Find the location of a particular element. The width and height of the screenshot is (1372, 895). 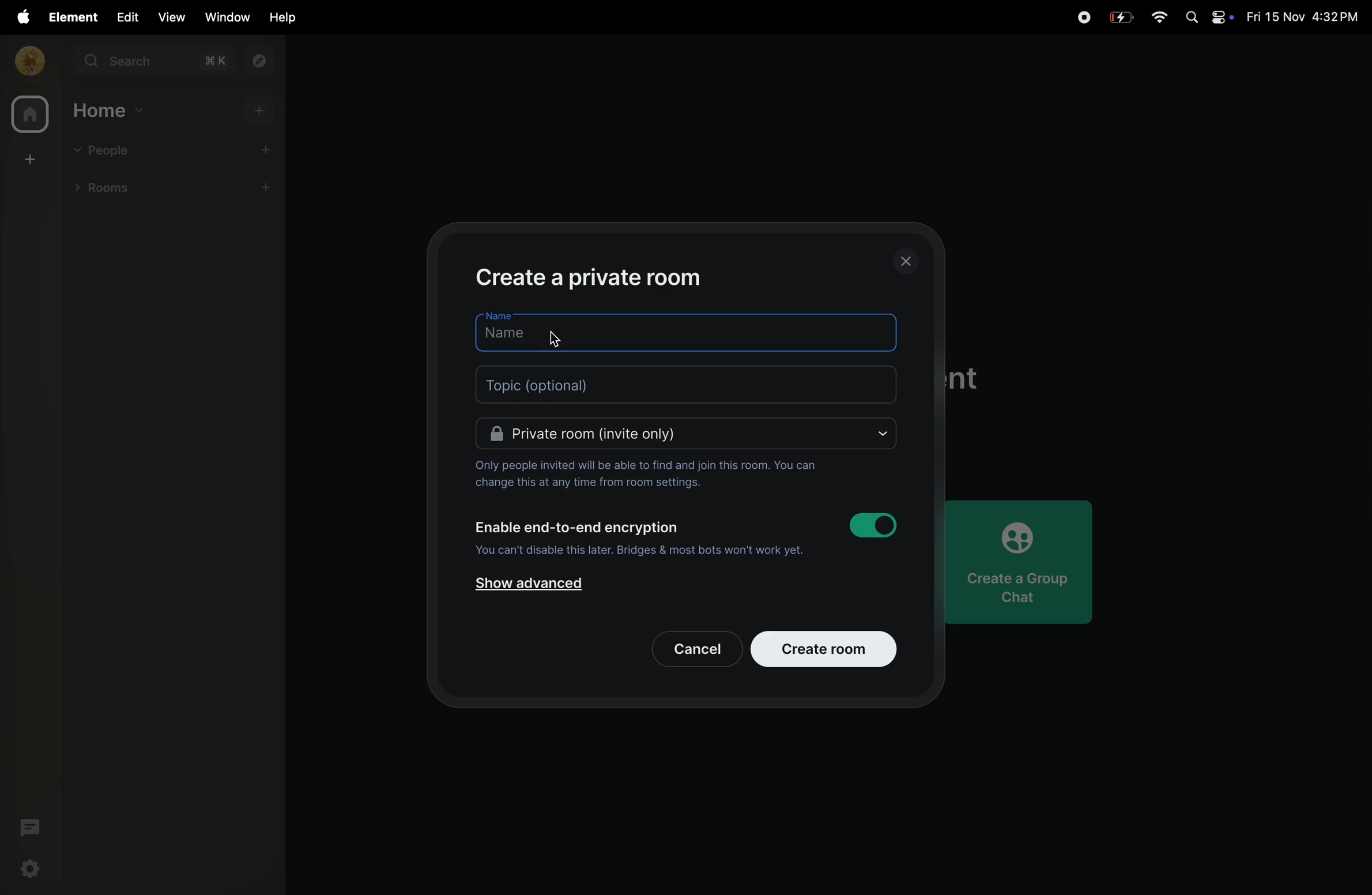

home is located at coordinates (27, 114).